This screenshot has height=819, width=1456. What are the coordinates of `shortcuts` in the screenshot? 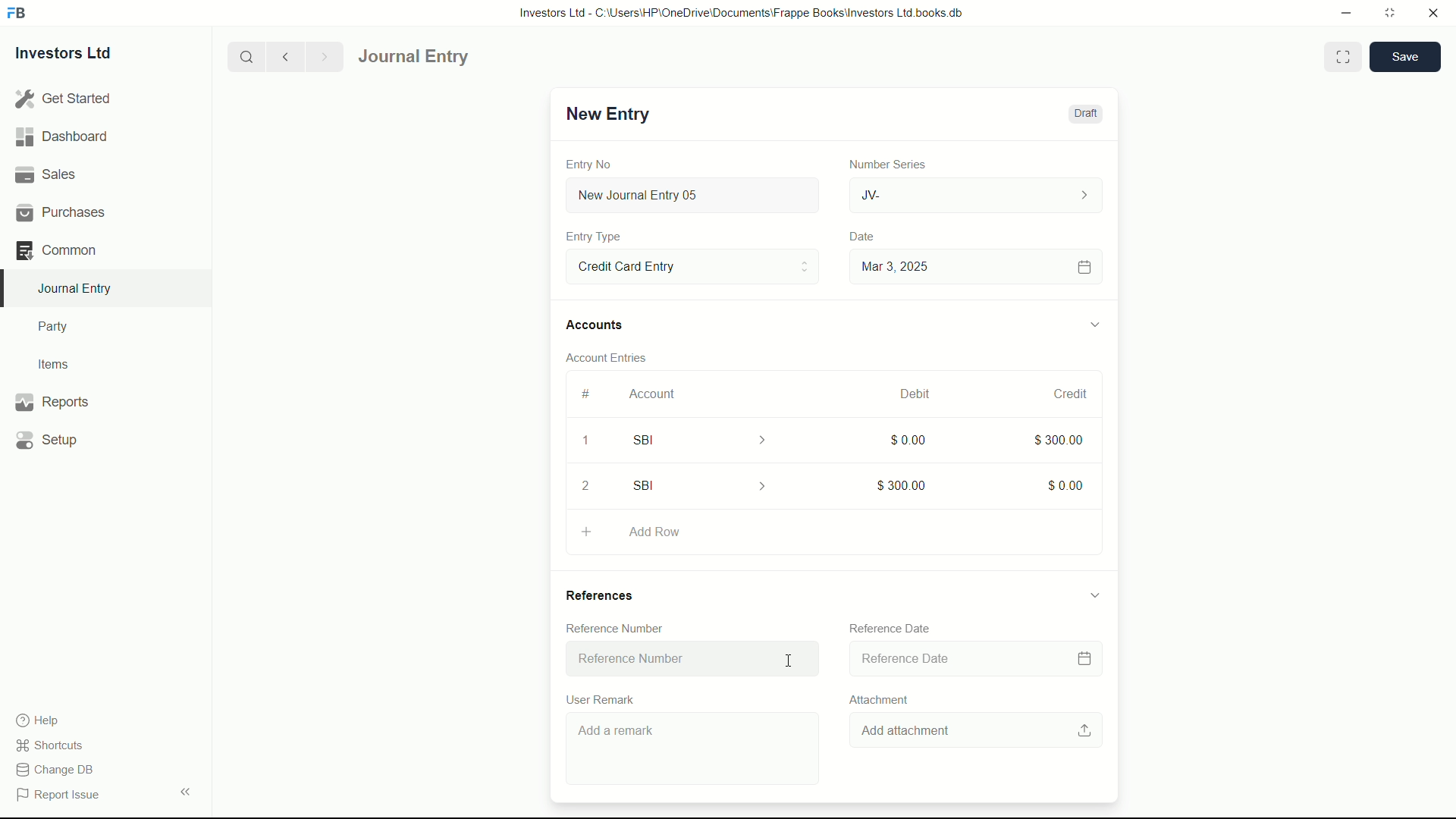 It's located at (53, 745).